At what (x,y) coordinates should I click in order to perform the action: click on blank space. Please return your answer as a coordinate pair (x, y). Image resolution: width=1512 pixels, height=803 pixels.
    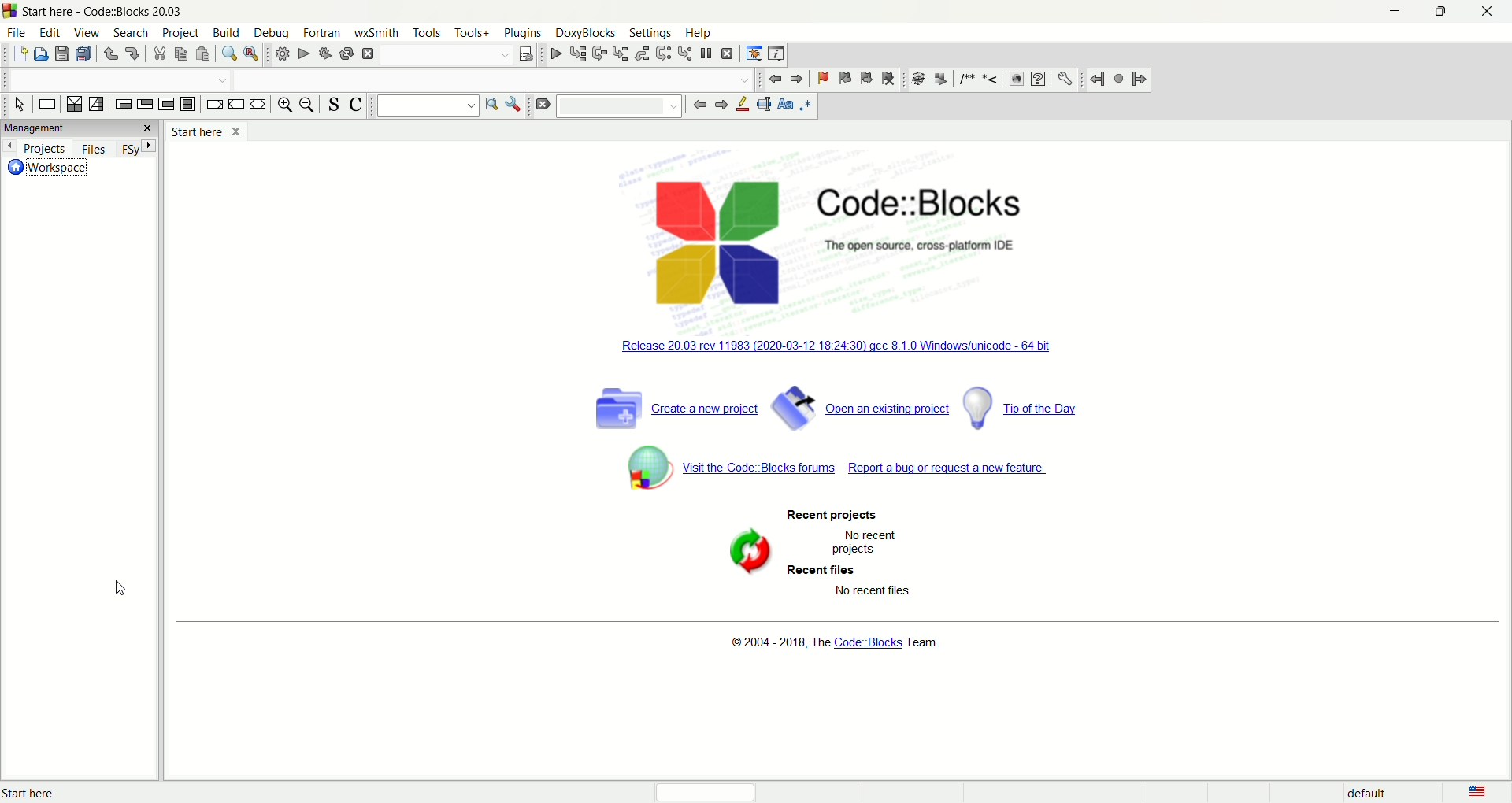
    Looking at the image, I should click on (621, 105).